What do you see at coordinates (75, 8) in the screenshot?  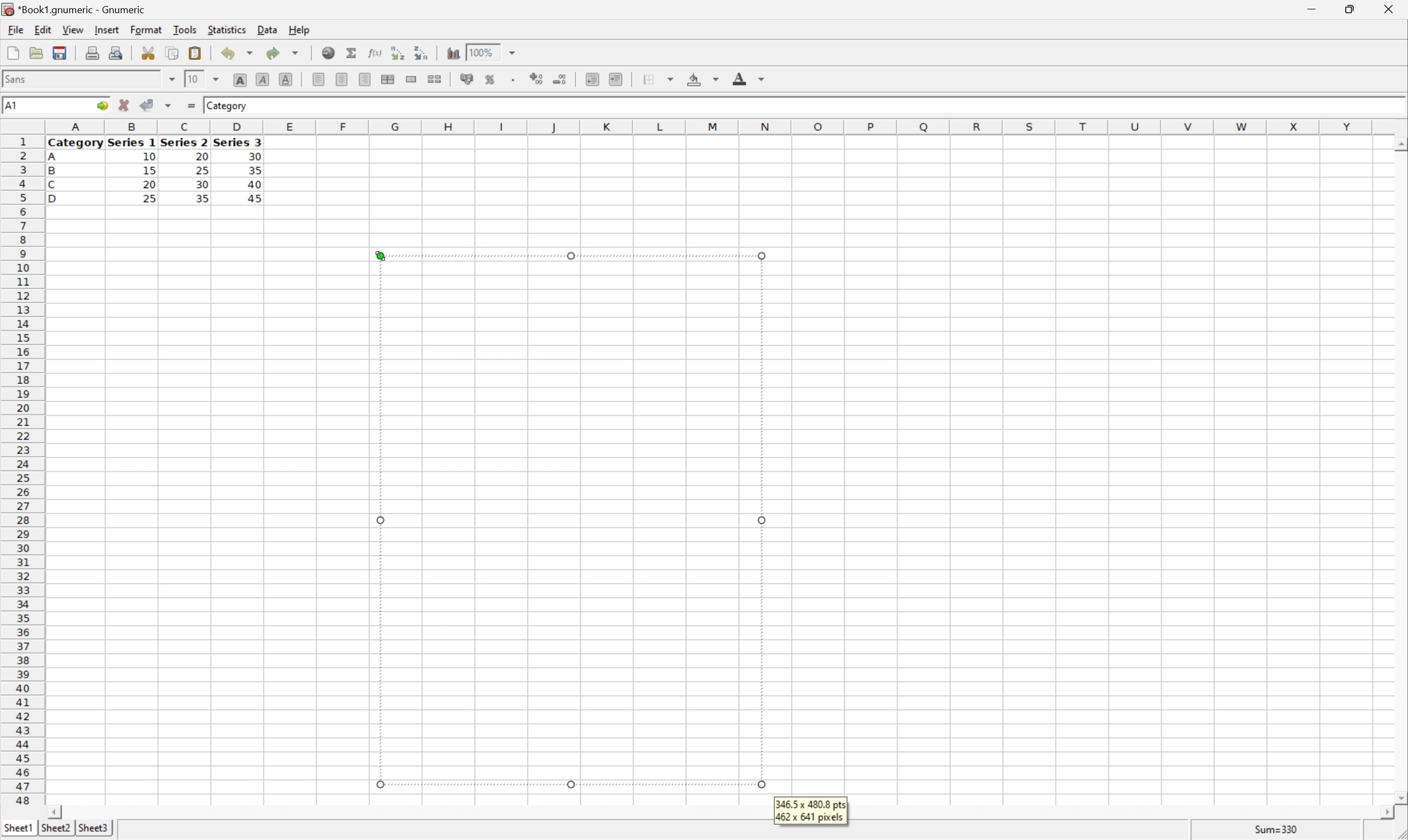 I see `*Book1.gnumeric - Gnumeric` at bounding box center [75, 8].